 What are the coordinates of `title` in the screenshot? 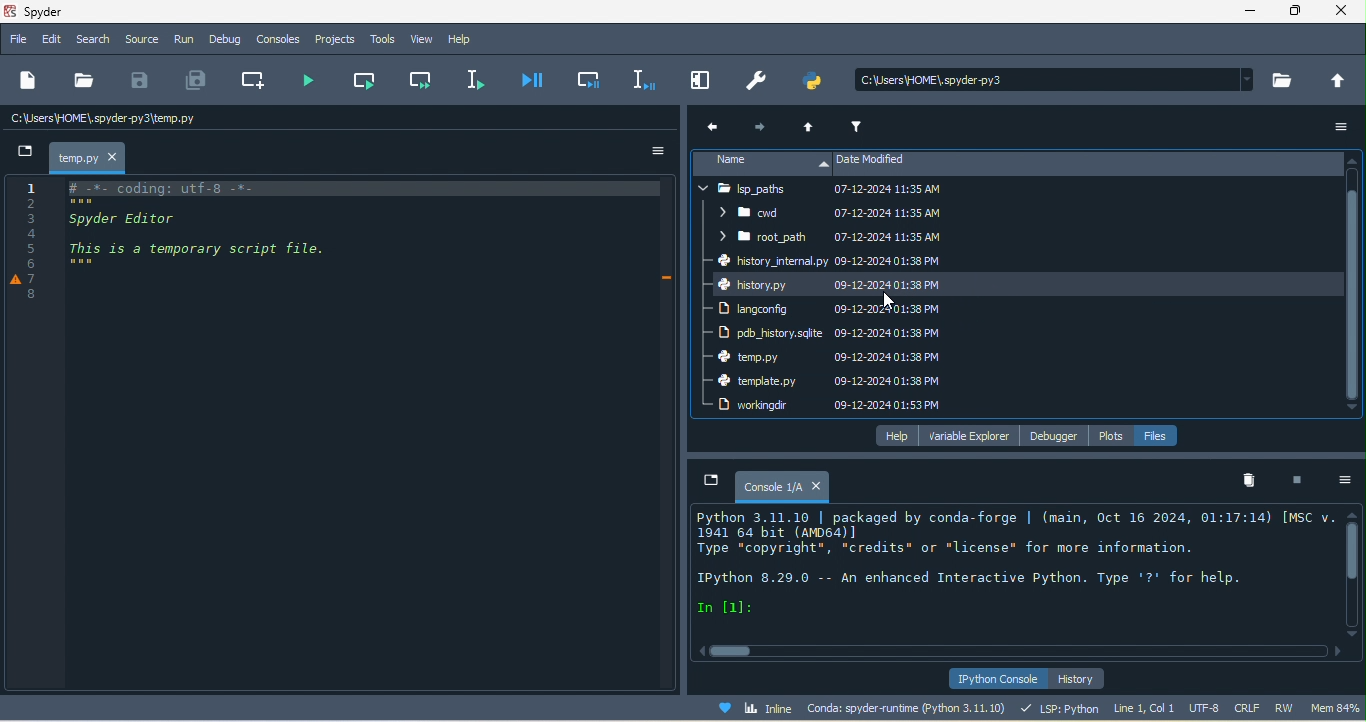 It's located at (55, 12).